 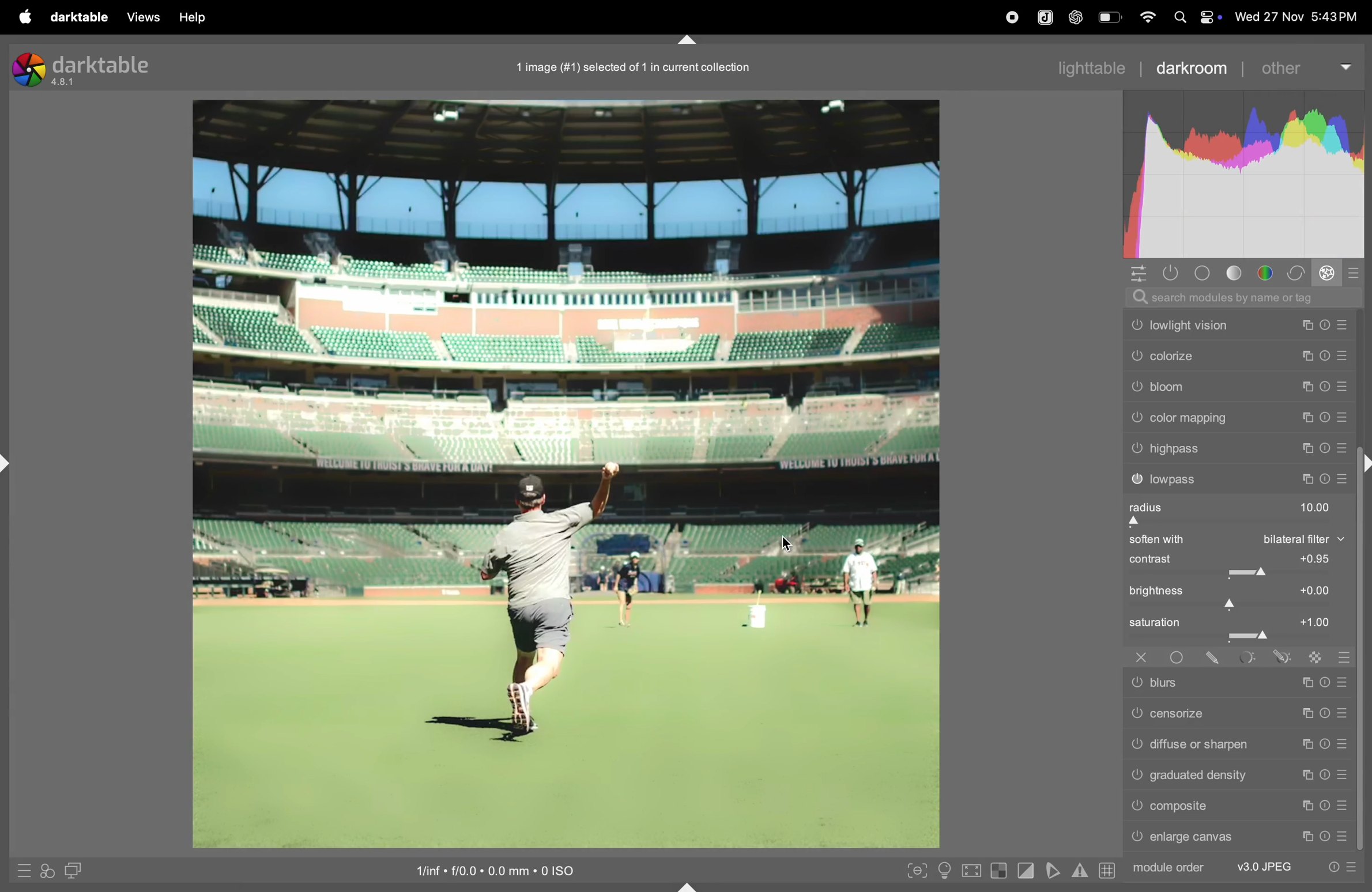 I want to click on toggle iso, so click(x=947, y=871).